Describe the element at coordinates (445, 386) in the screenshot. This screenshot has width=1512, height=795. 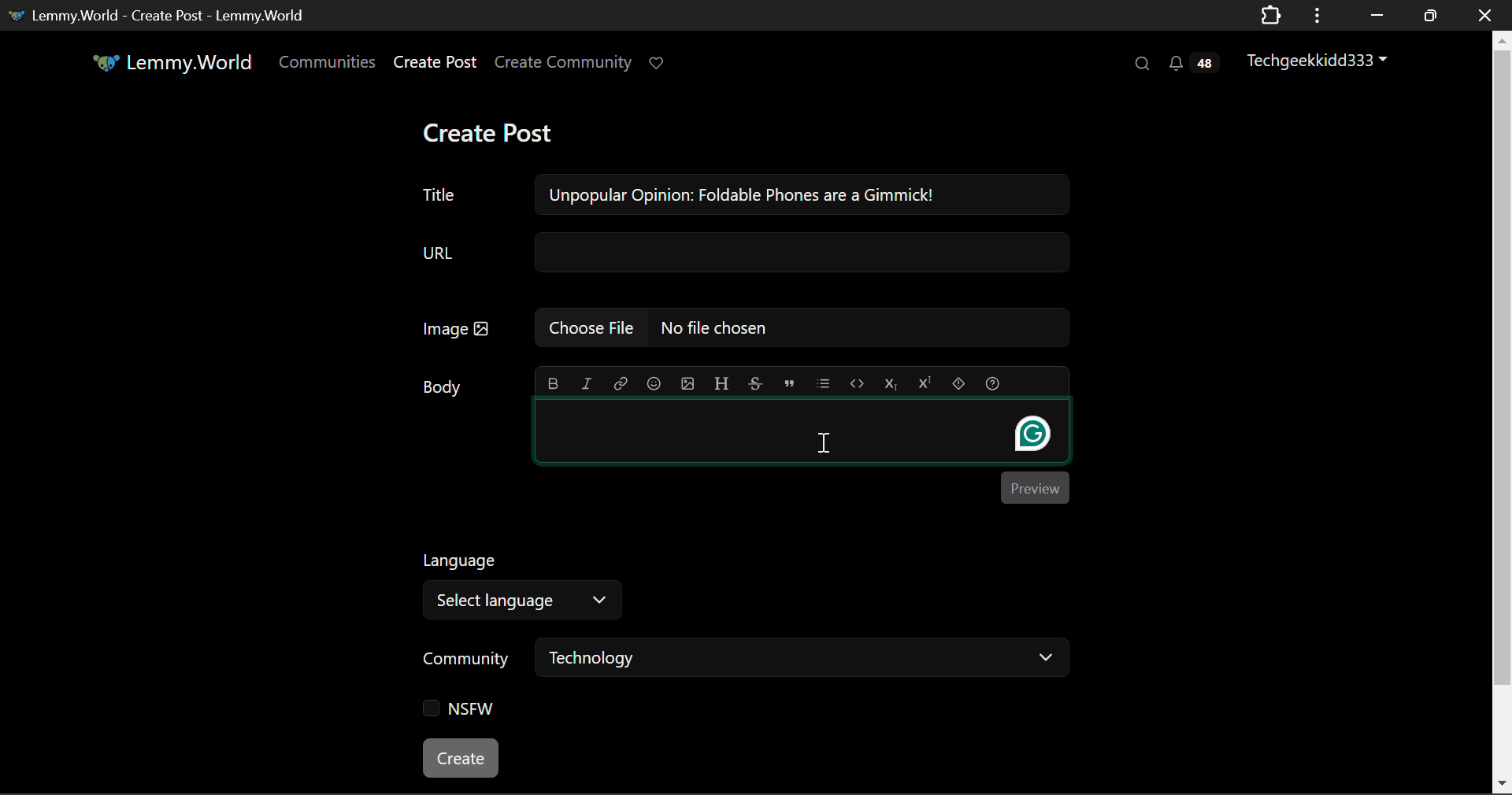
I see `Body` at that location.